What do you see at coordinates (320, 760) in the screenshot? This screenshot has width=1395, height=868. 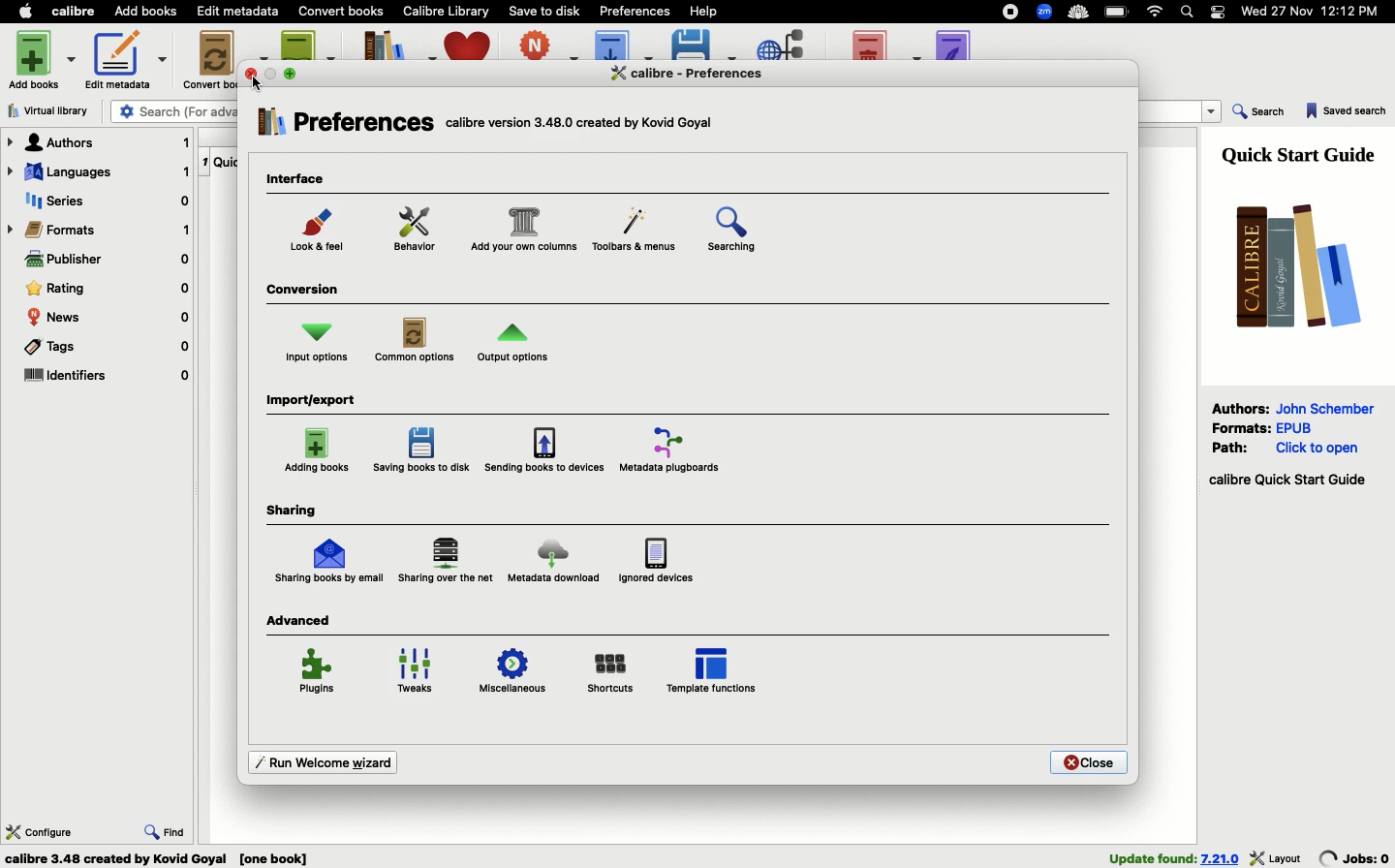 I see `Run welcome wizard` at bounding box center [320, 760].